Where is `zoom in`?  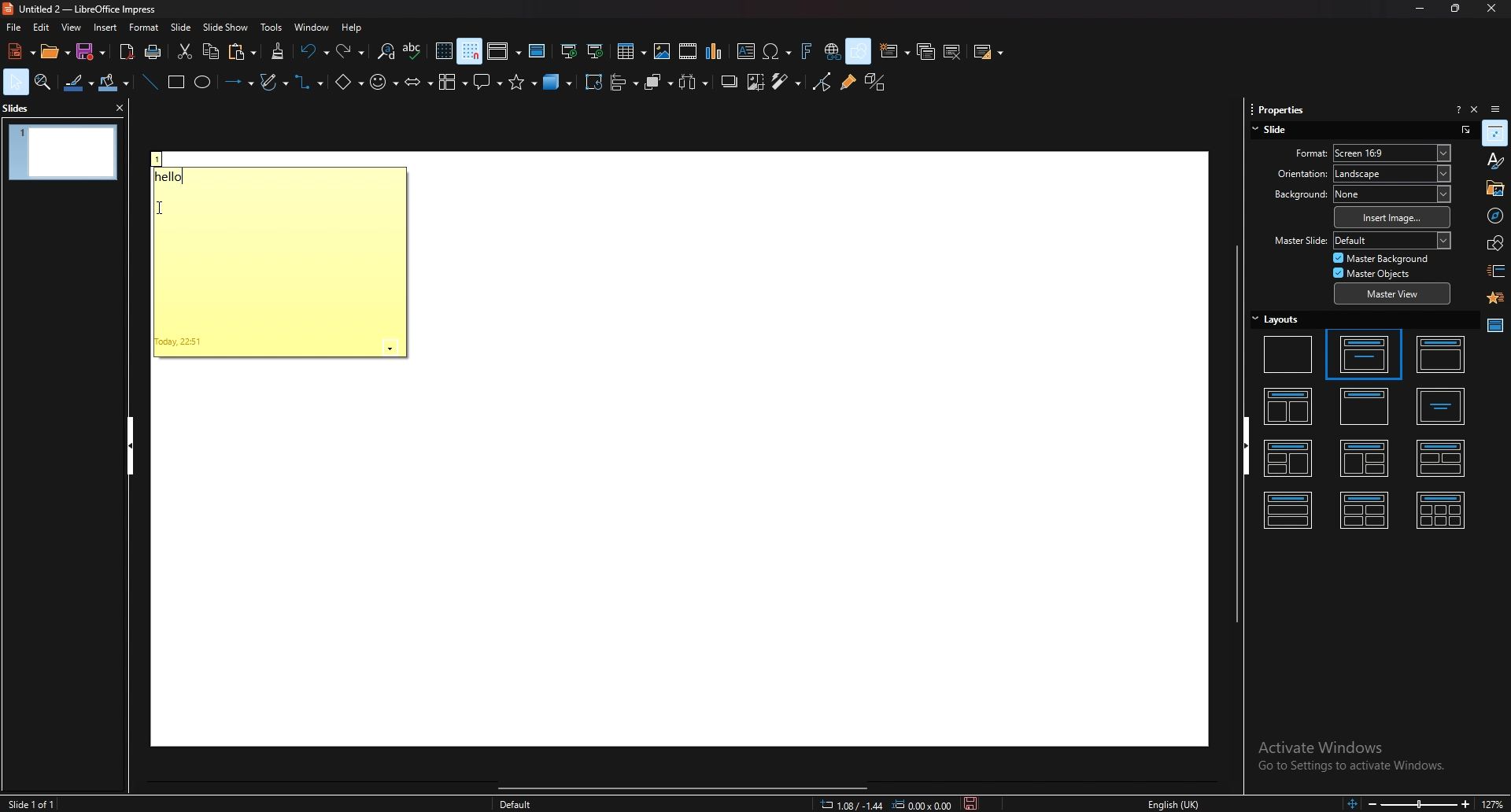
zoom in is located at coordinates (1465, 803).